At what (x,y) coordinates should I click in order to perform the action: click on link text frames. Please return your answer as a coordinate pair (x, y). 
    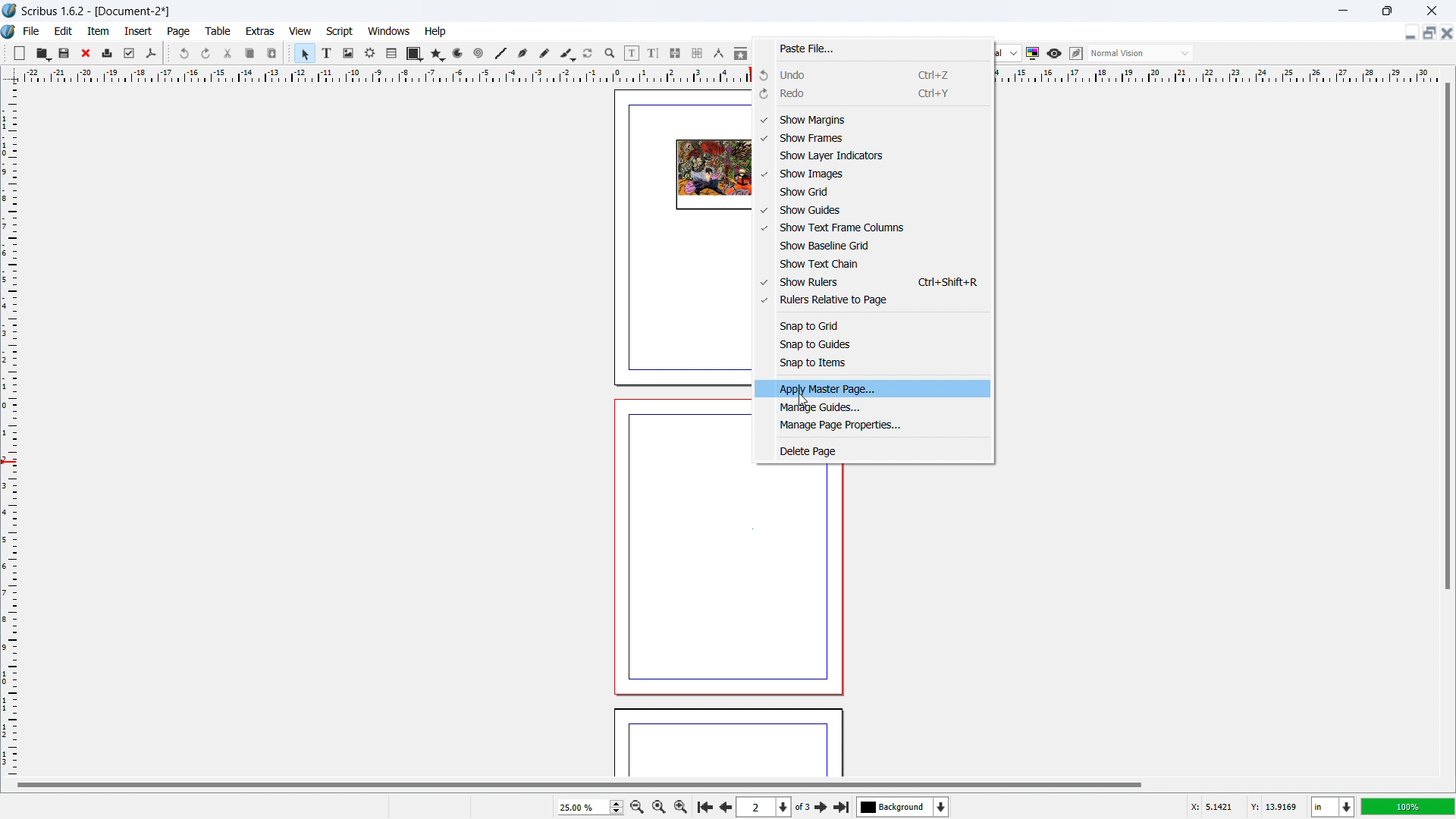
    Looking at the image, I should click on (676, 54).